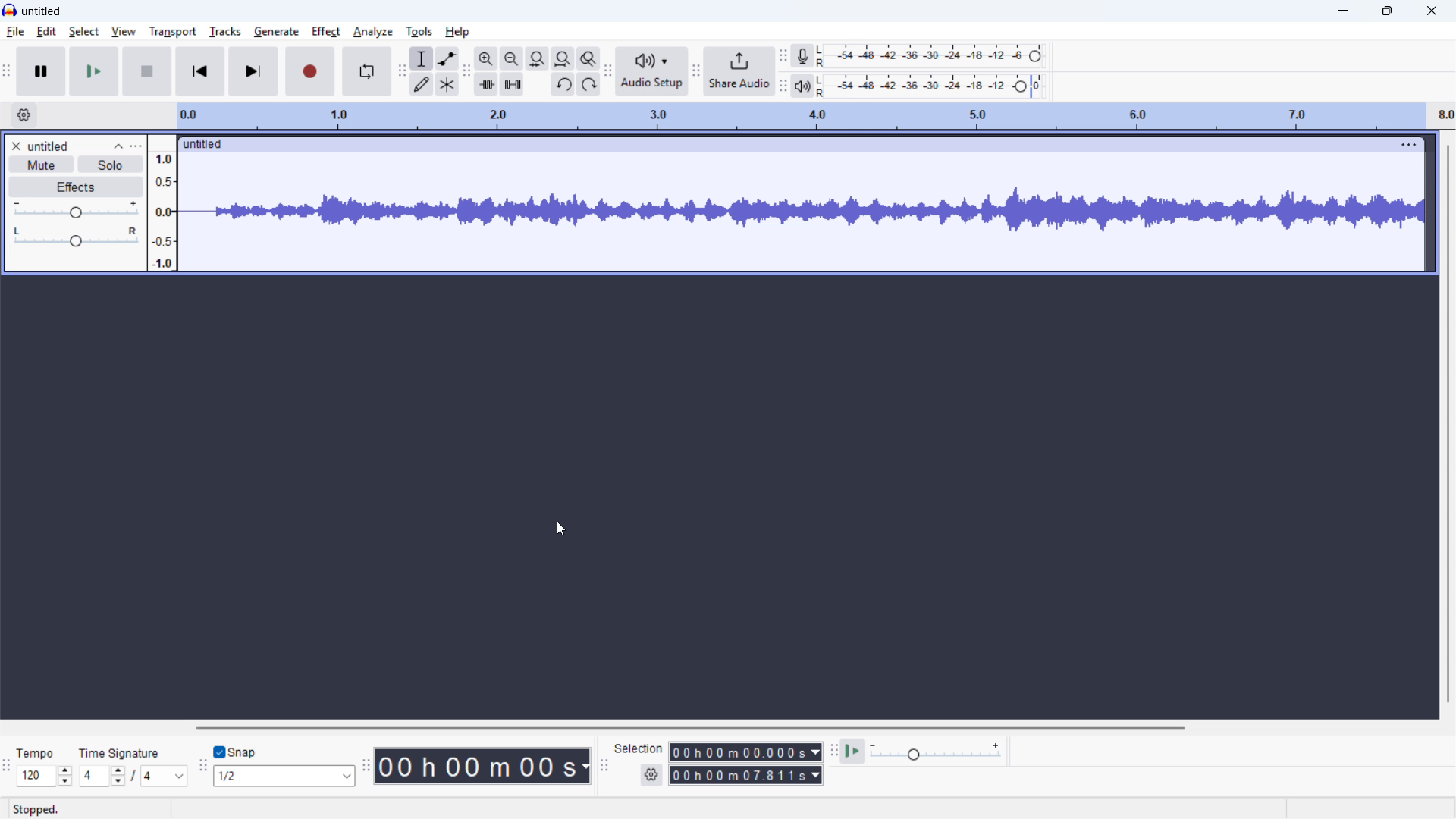  What do you see at coordinates (1448, 424) in the screenshot?
I see `Vertical scroll bar ` at bounding box center [1448, 424].